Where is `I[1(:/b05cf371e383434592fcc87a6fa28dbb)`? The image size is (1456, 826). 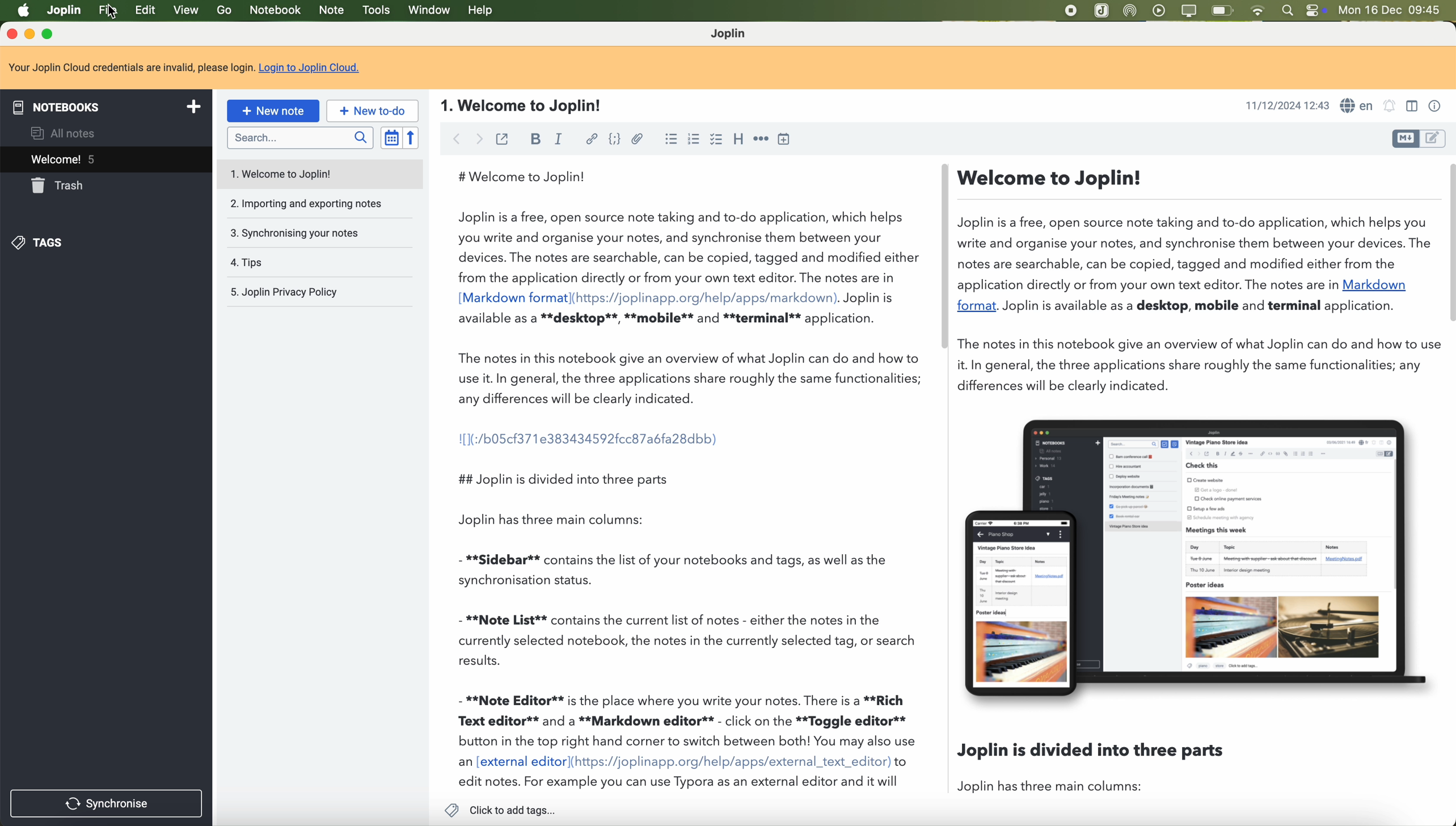
I[1(:/b05cf371e383434592fcc87a6fa28dbb) is located at coordinates (590, 437).